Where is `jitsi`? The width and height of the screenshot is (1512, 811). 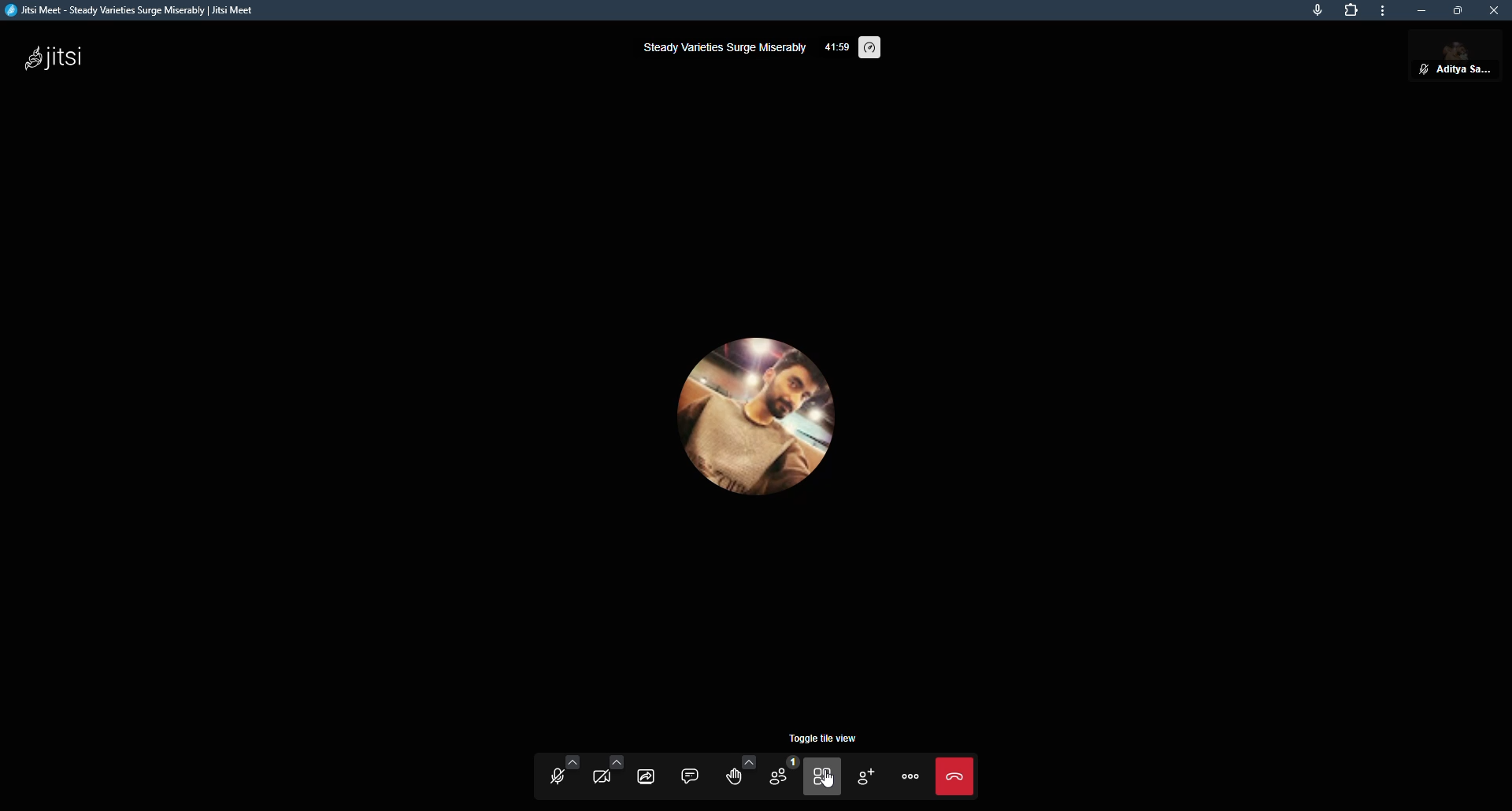 jitsi is located at coordinates (62, 61).